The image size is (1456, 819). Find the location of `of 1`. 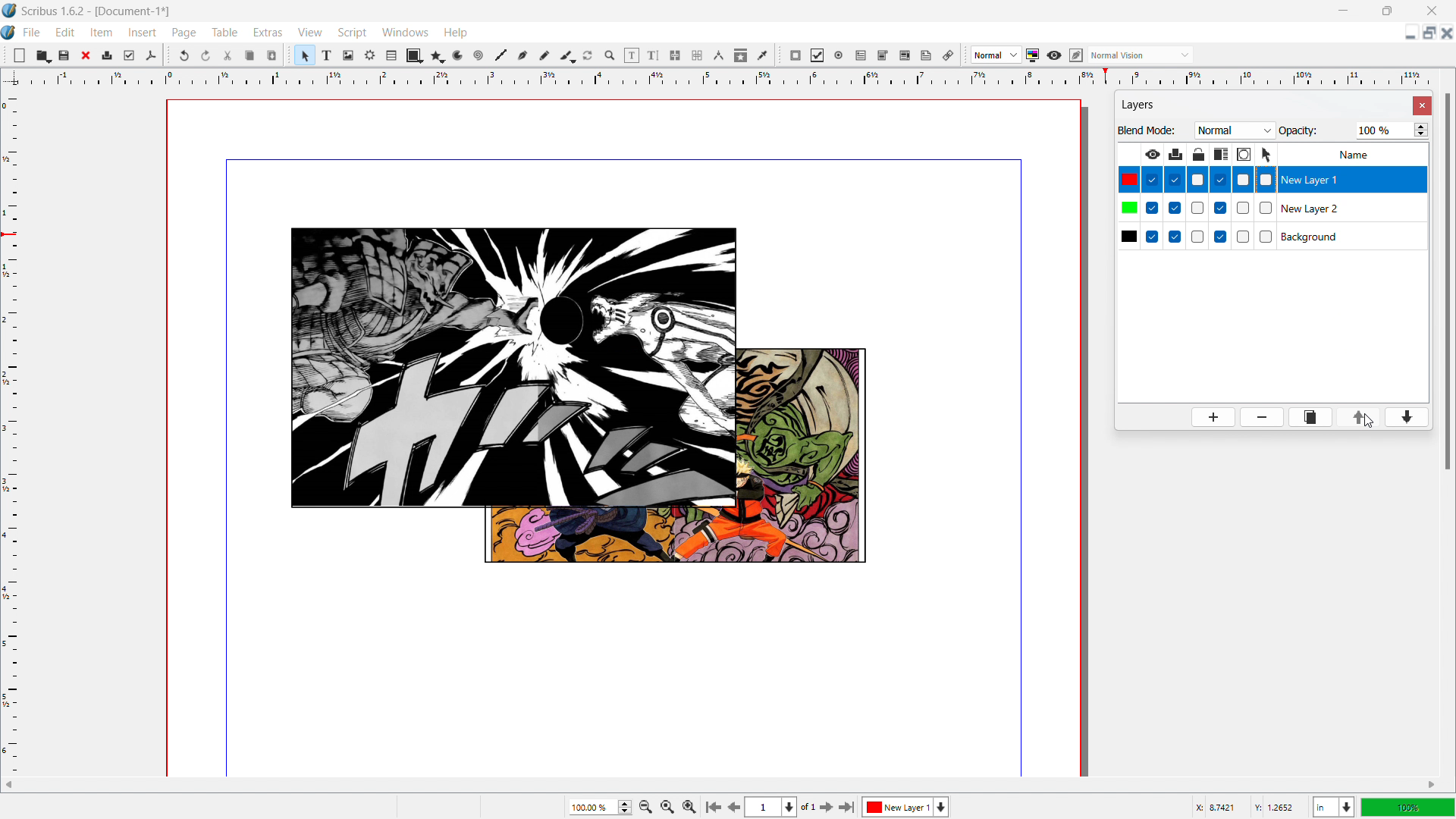

of 1 is located at coordinates (808, 808).